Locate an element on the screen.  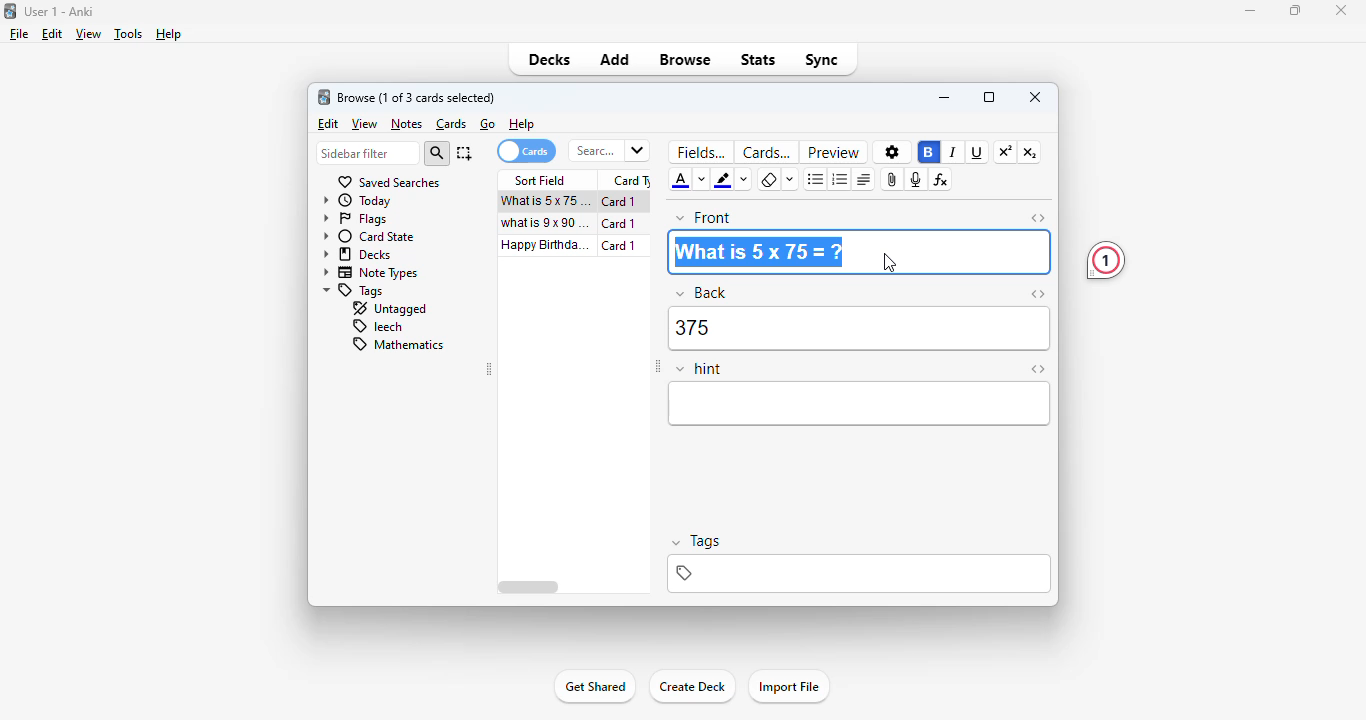
italic is located at coordinates (954, 152).